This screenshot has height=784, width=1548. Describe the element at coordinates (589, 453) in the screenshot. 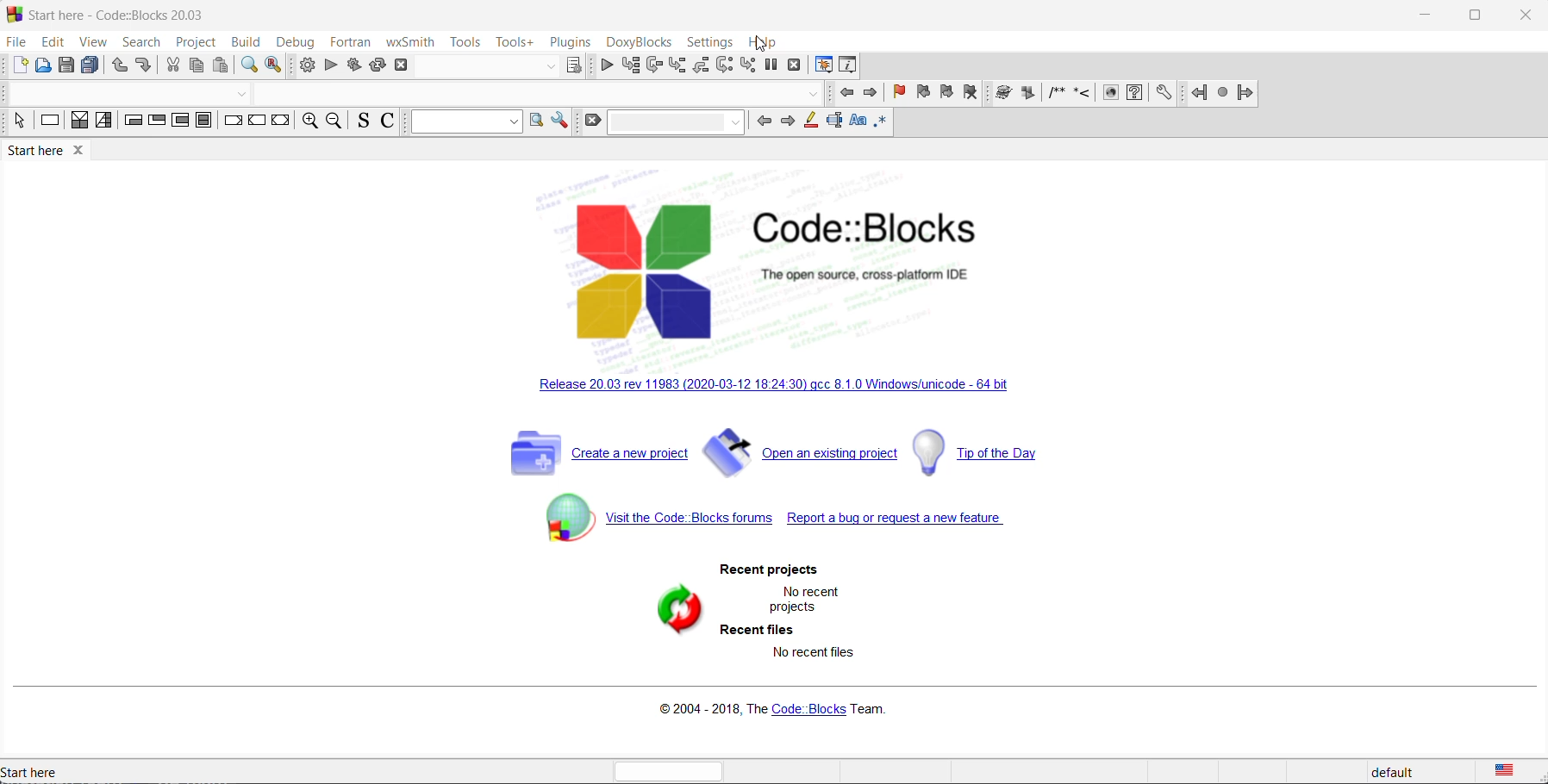

I see `create new project` at that location.